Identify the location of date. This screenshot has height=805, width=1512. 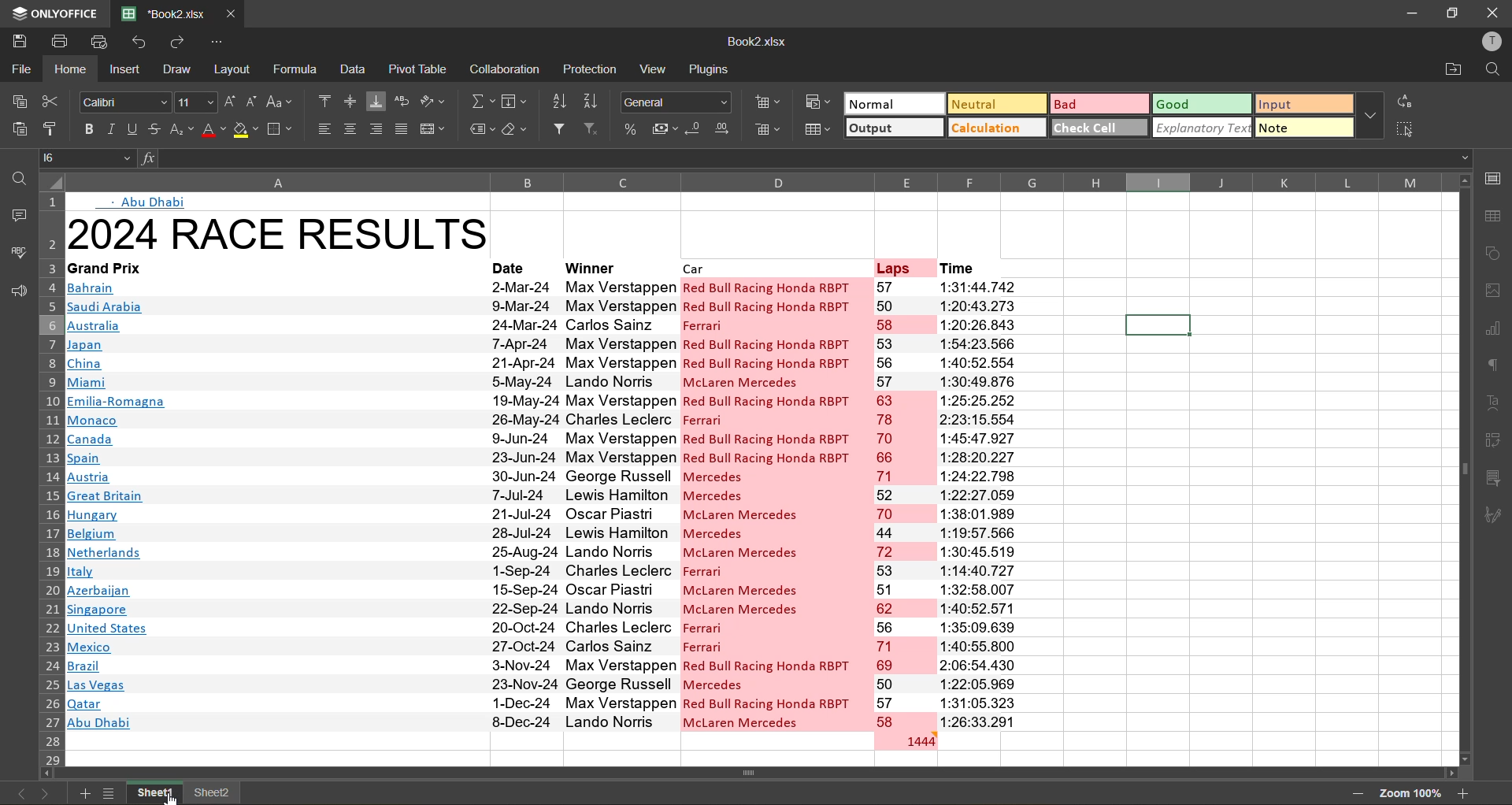
(520, 265).